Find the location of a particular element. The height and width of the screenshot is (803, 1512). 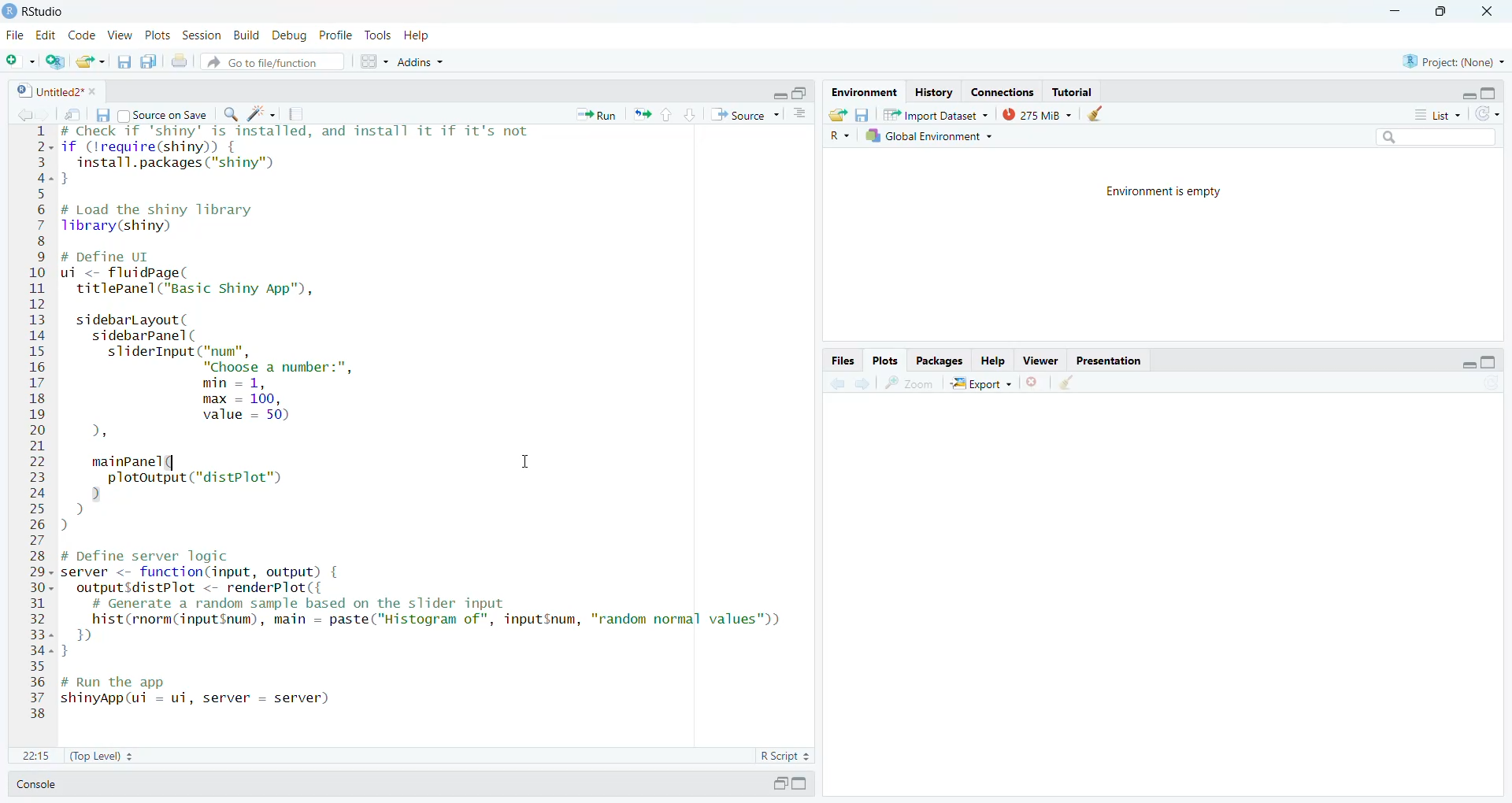

compile report is located at coordinates (295, 113).